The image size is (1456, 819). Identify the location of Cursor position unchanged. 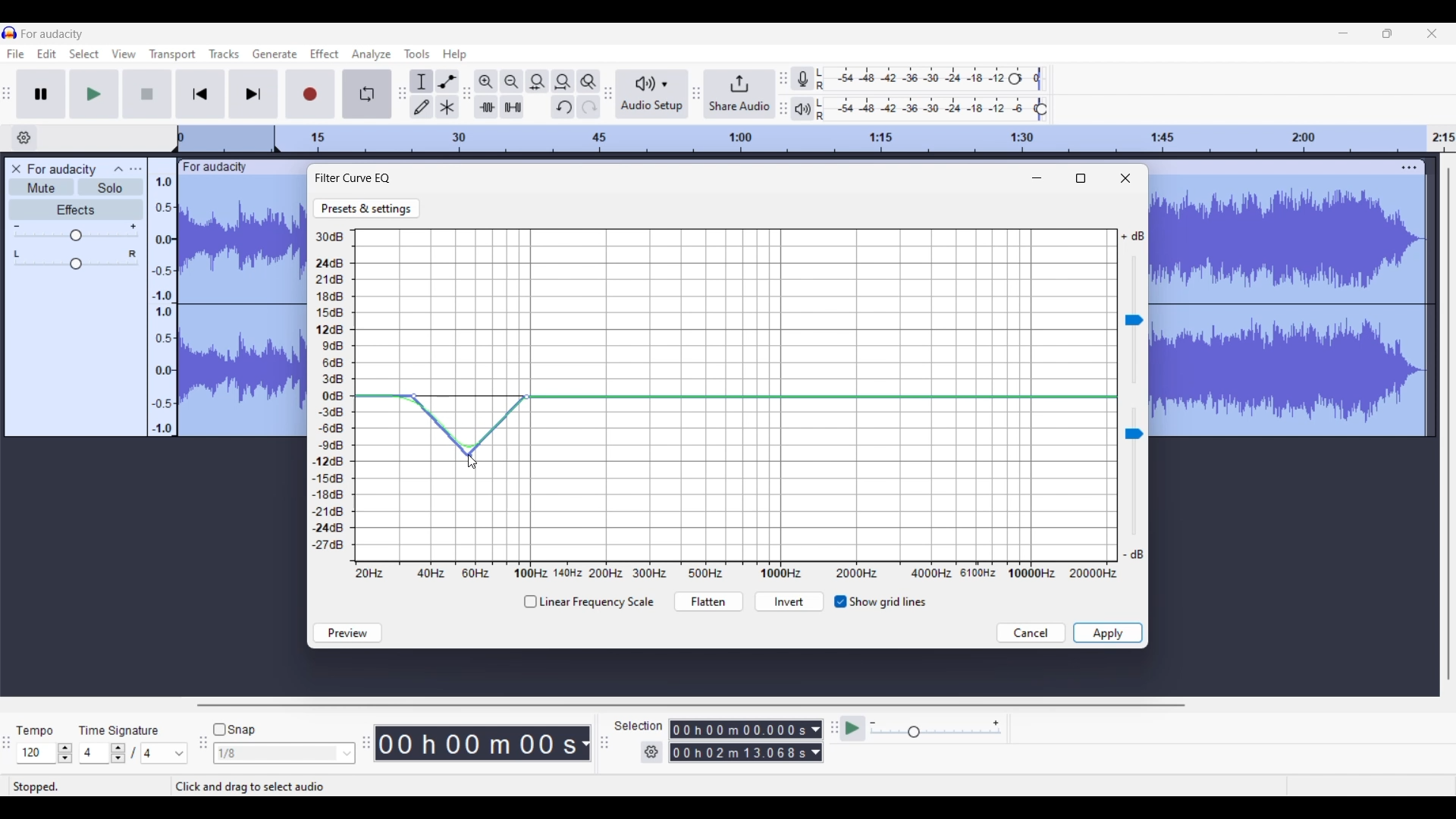
(472, 462).